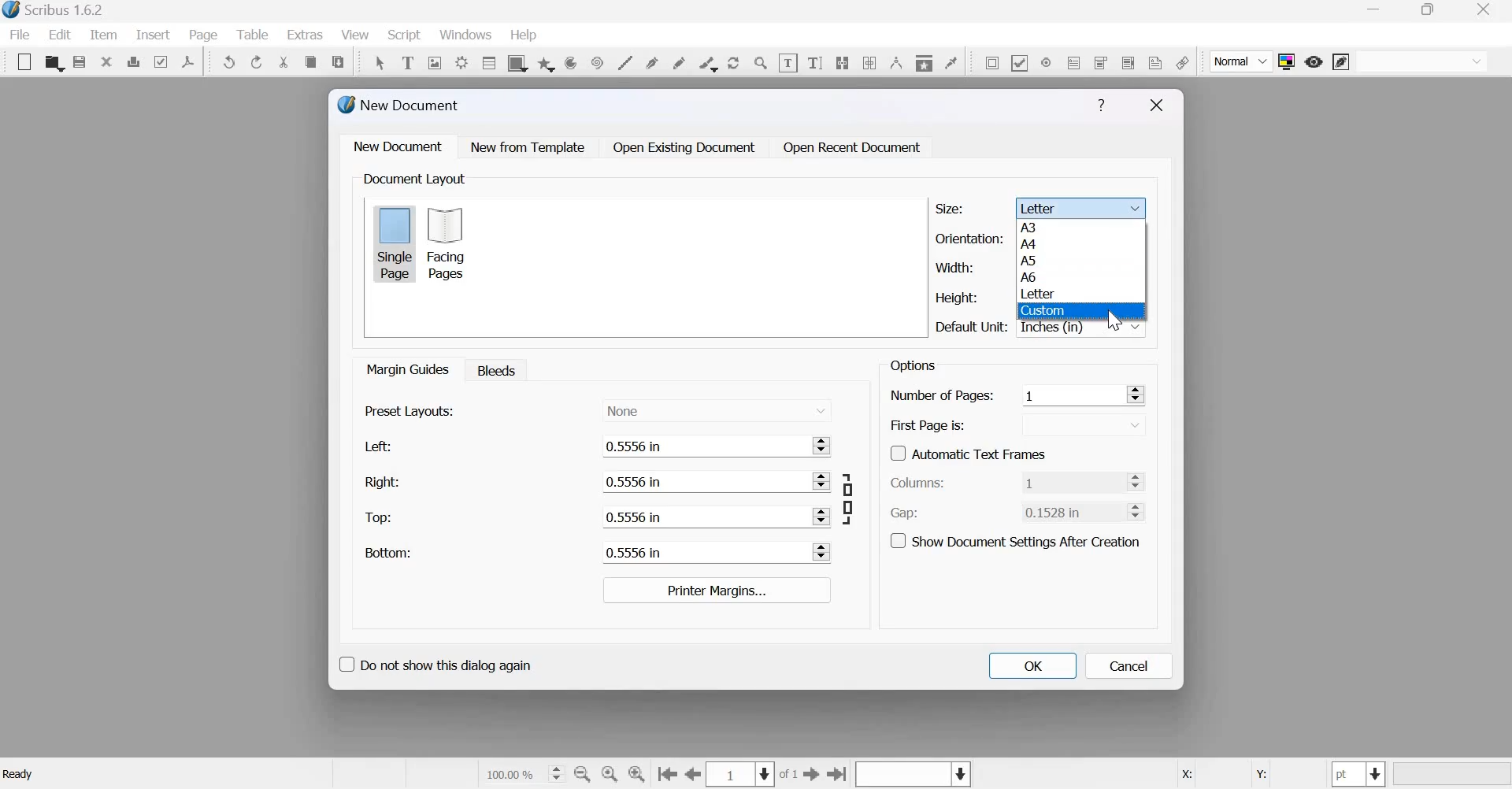  What do you see at coordinates (57, 11) in the screenshot?
I see `Scribus 1.6.2 - [Document-1]` at bounding box center [57, 11].